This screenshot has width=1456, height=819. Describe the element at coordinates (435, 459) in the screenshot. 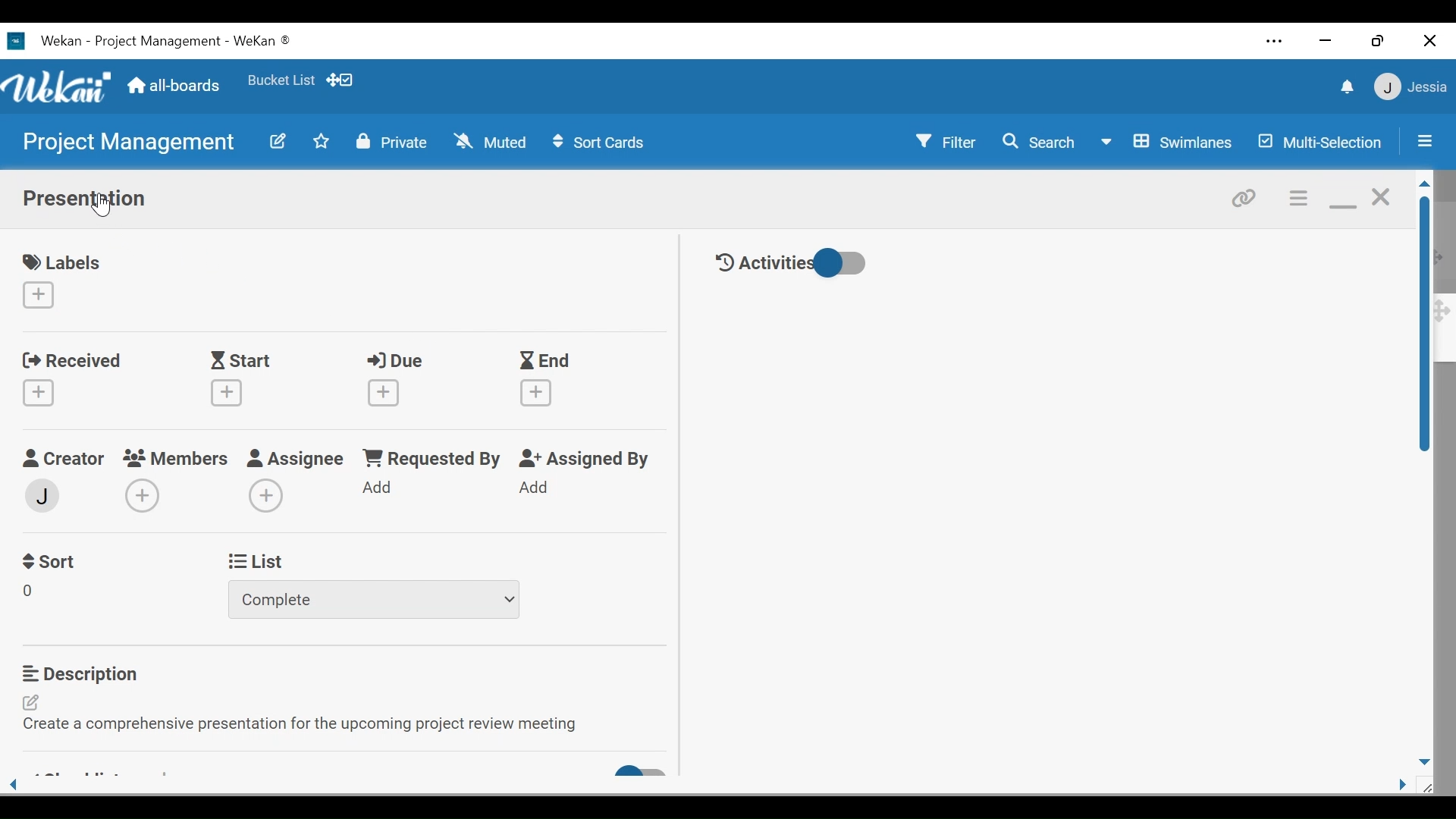

I see `Requested By` at that location.